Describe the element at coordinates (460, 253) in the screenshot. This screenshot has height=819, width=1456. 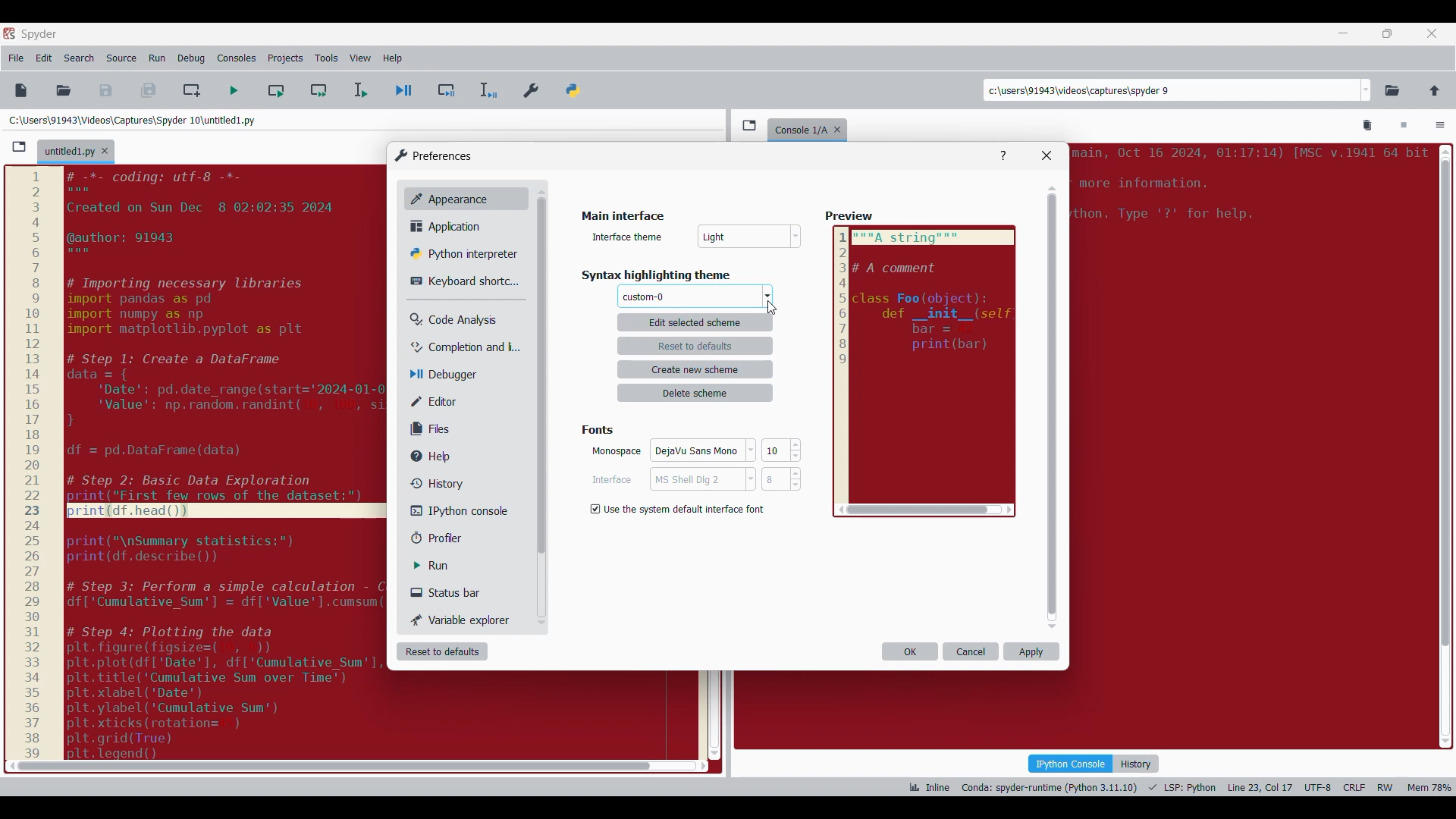
I see `Python interpreter` at that location.